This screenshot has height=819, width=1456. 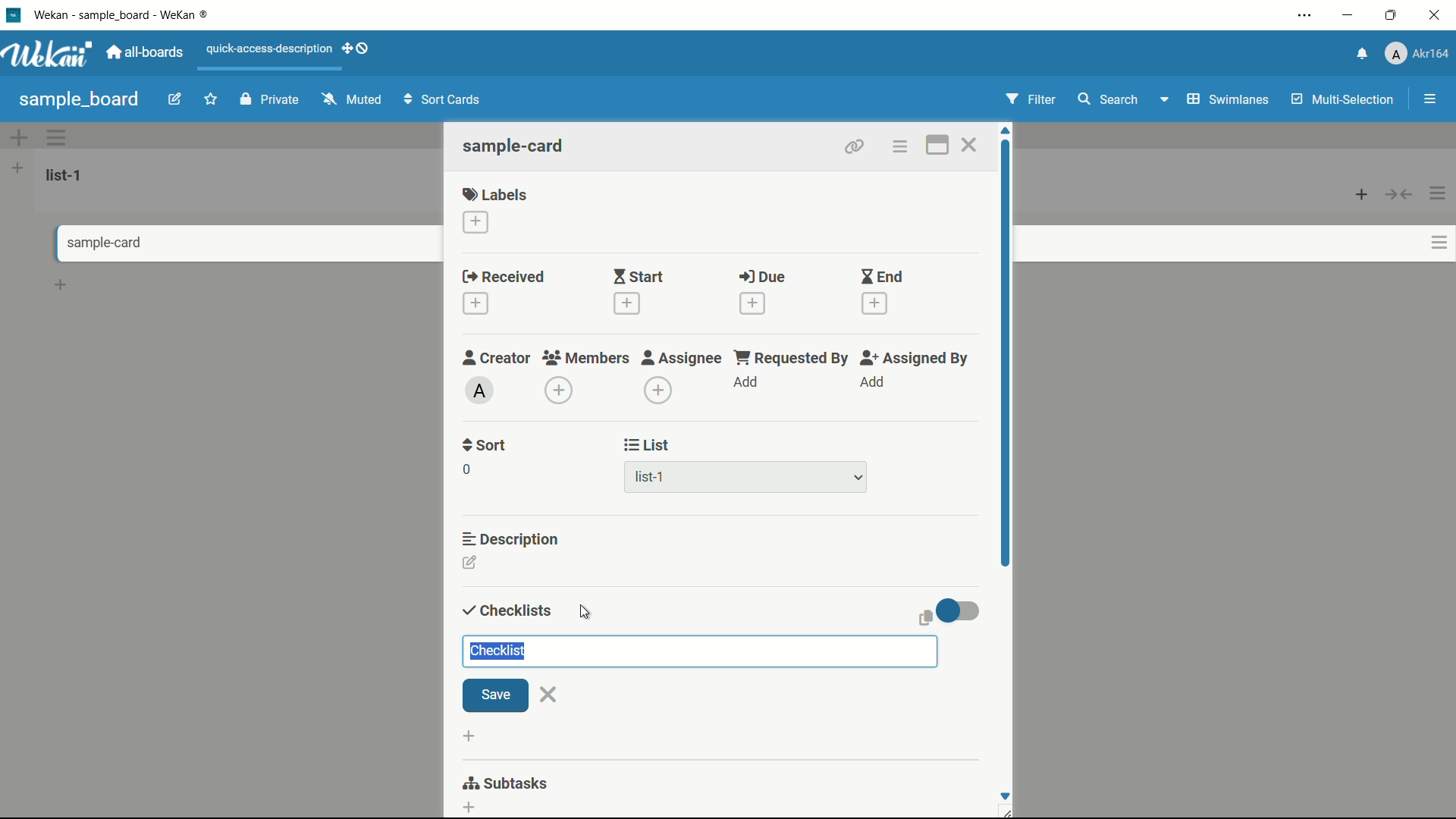 What do you see at coordinates (466, 469) in the screenshot?
I see `0` at bounding box center [466, 469].